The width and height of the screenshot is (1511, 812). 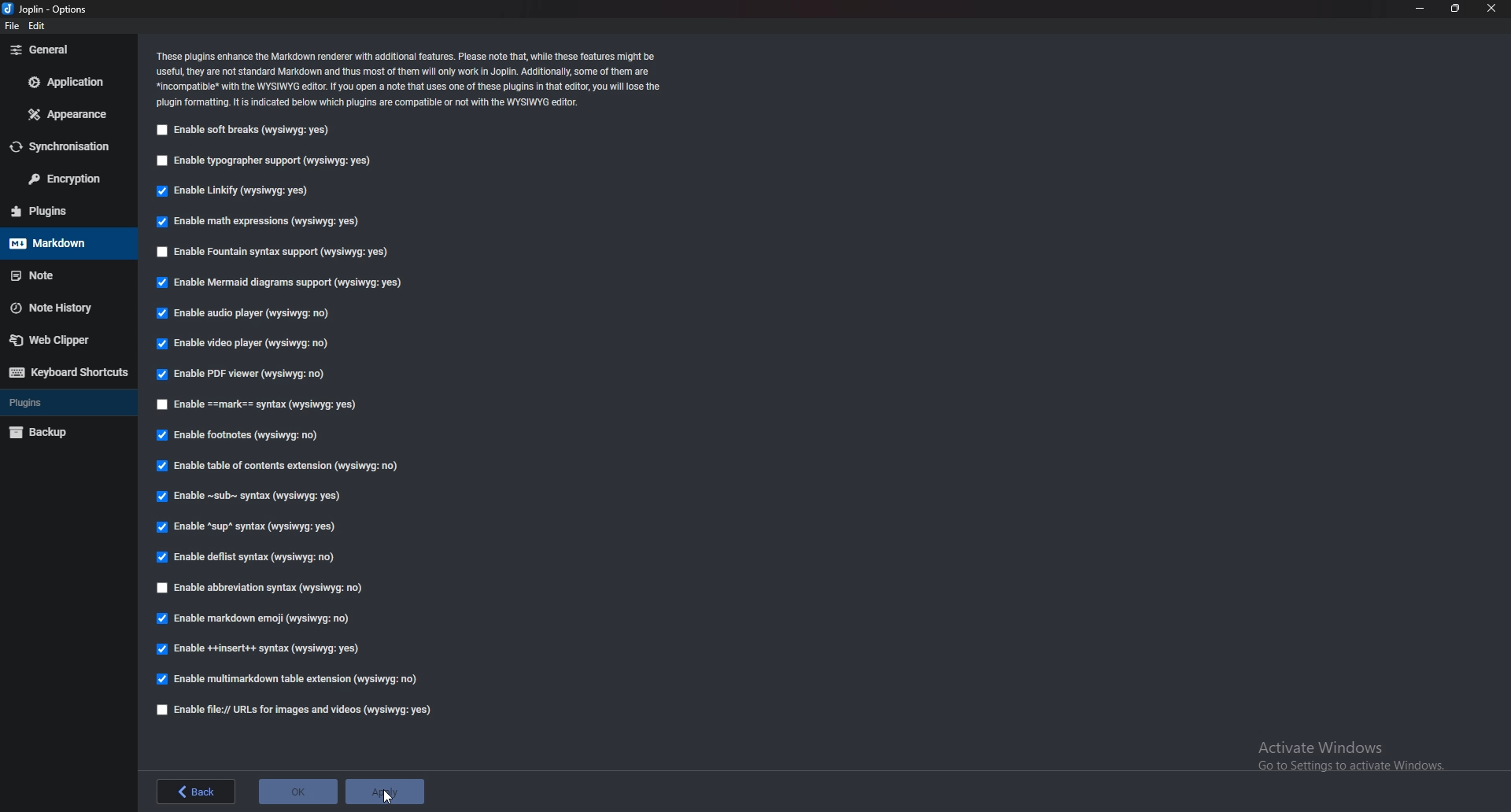 What do you see at coordinates (1345, 751) in the screenshot?
I see `Activate Windows
Go to Settings to activate Windows.` at bounding box center [1345, 751].